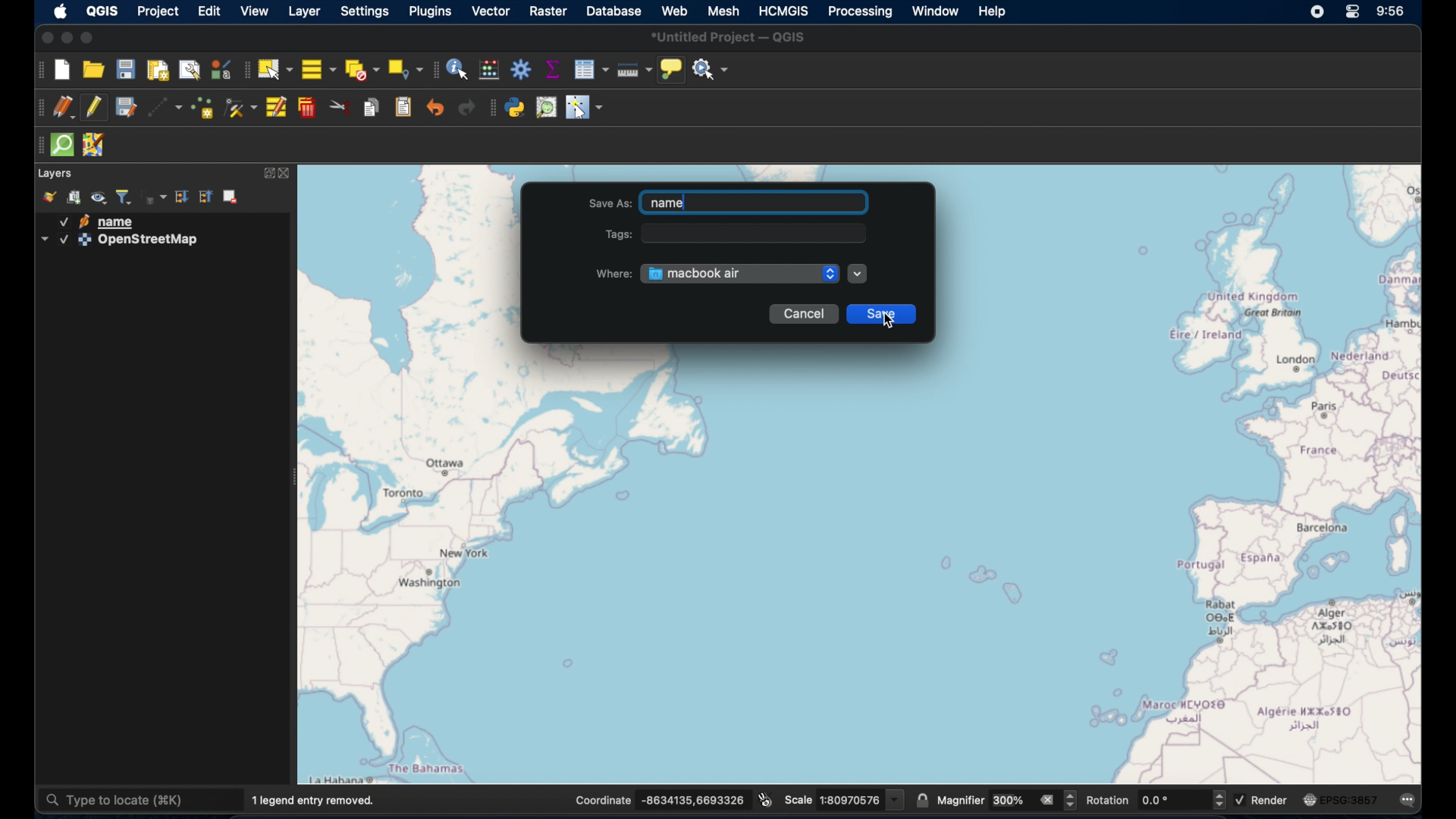 The height and width of the screenshot is (819, 1456). Describe the element at coordinates (491, 12) in the screenshot. I see `vector` at that location.